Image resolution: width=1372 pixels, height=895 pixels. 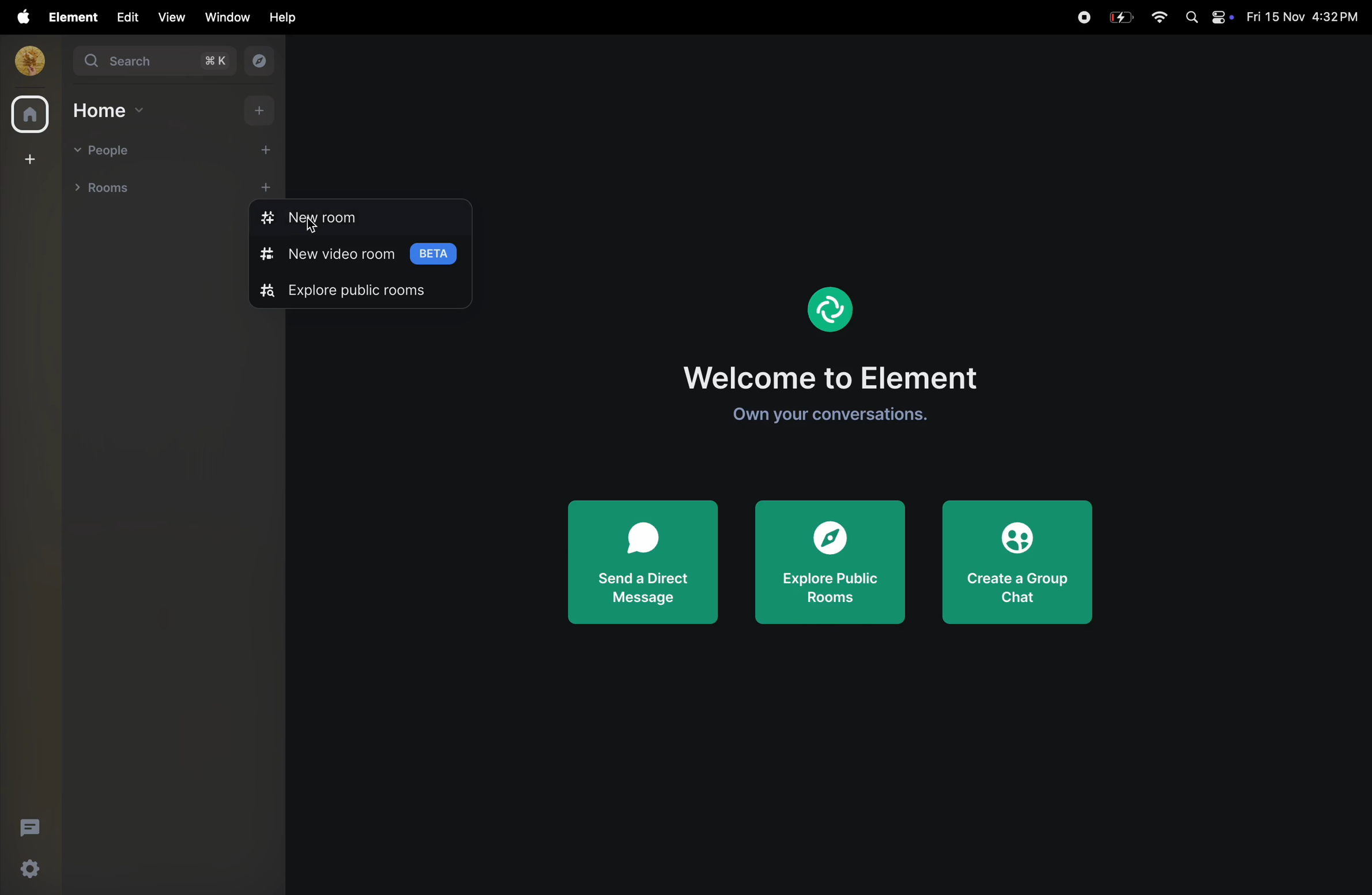 What do you see at coordinates (1206, 18) in the screenshot?
I see `apple widgets` at bounding box center [1206, 18].